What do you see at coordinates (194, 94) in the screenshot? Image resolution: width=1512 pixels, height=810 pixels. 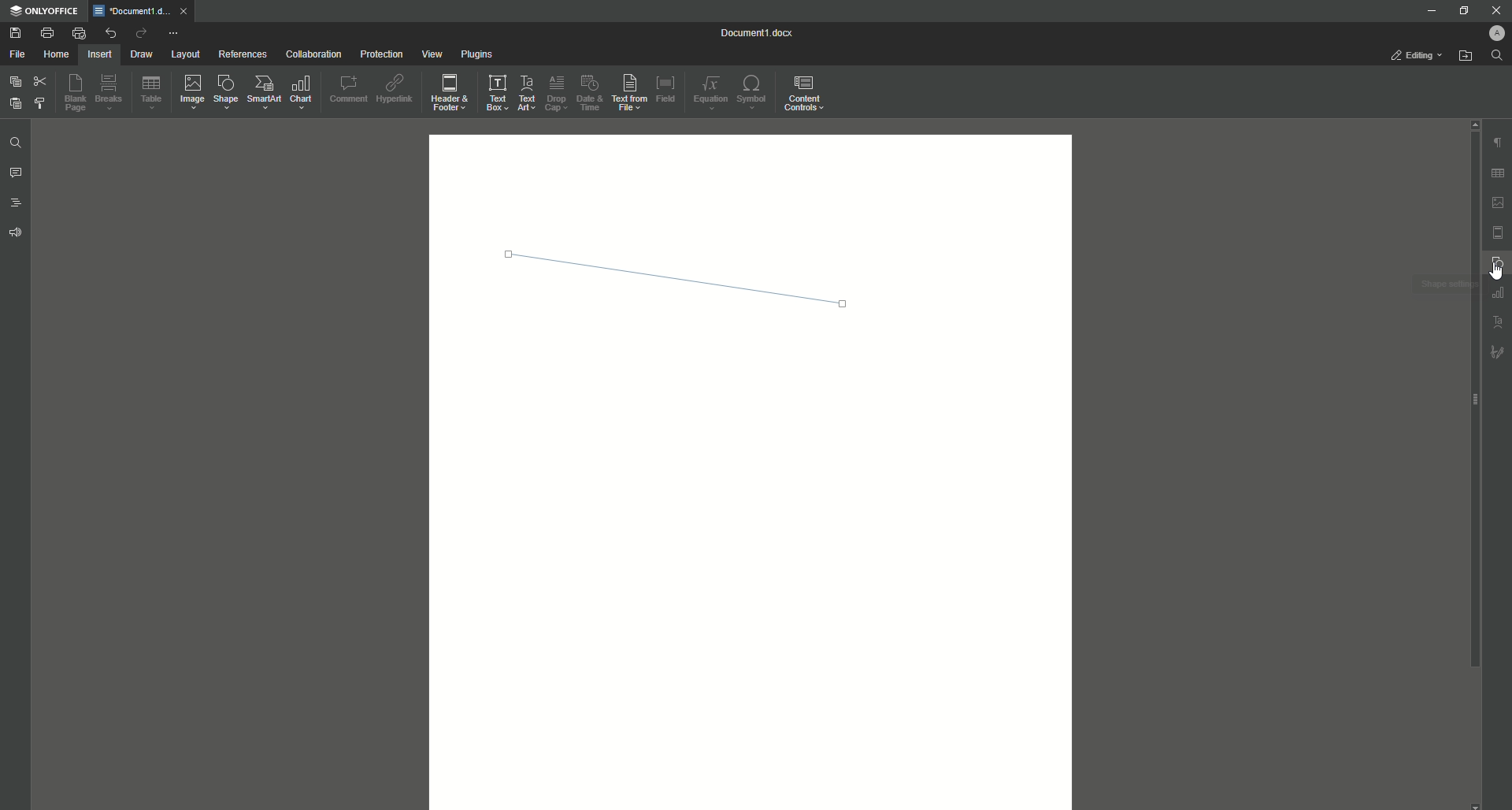 I see `Image` at bounding box center [194, 94].